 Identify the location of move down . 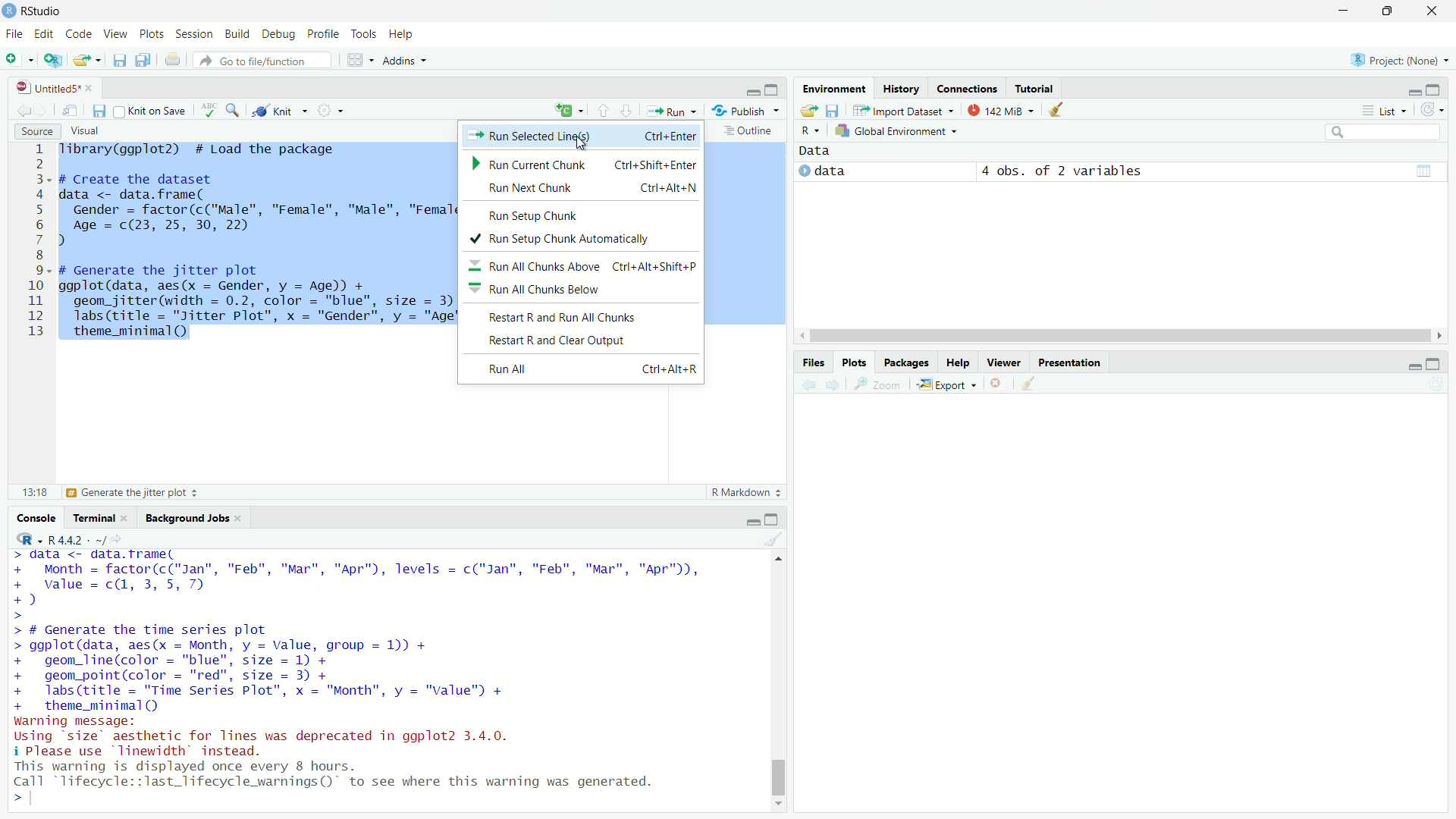
(780, 806).